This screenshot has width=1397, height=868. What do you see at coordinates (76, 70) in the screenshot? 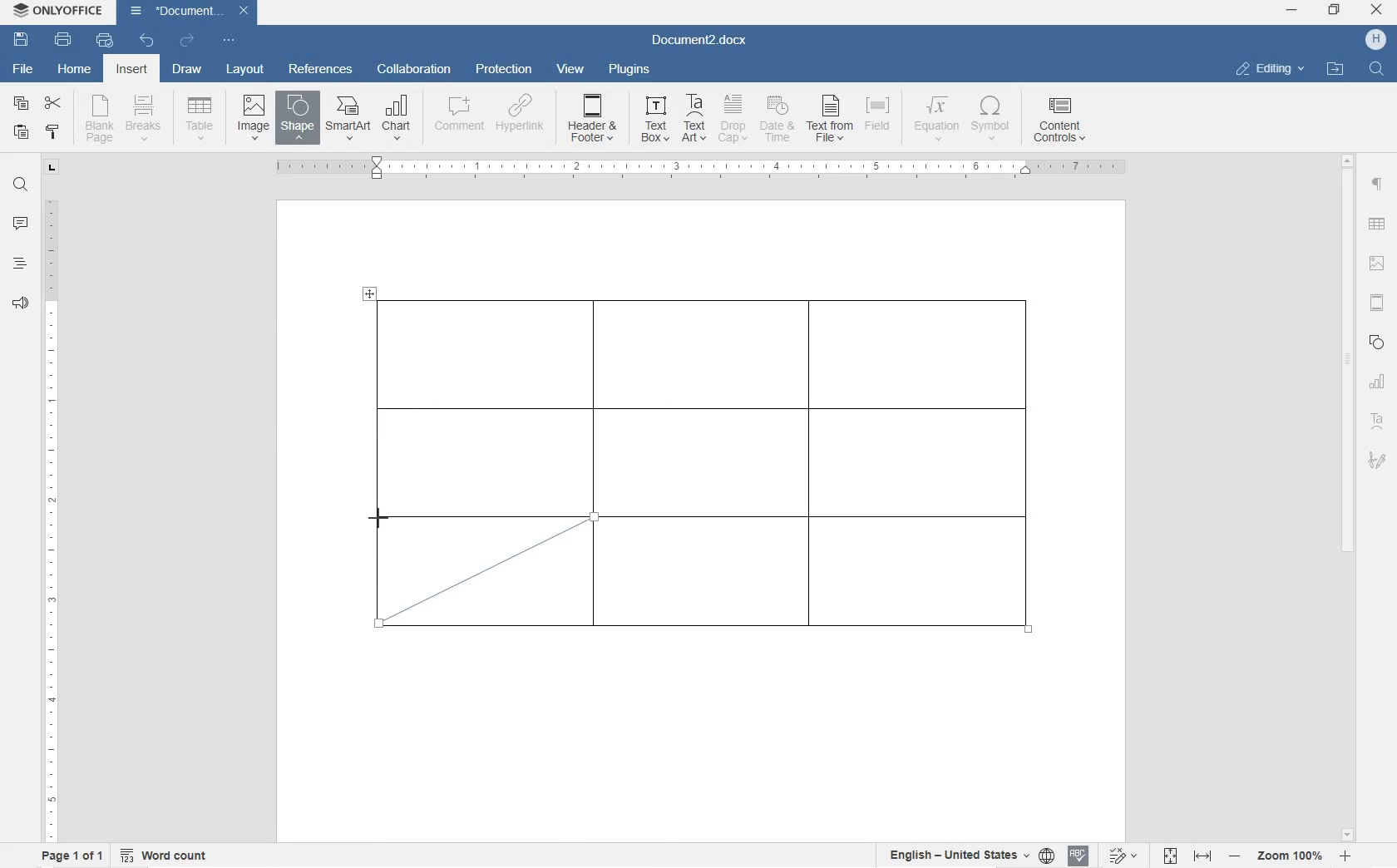
I see `home` at bounding box center [76, 70].